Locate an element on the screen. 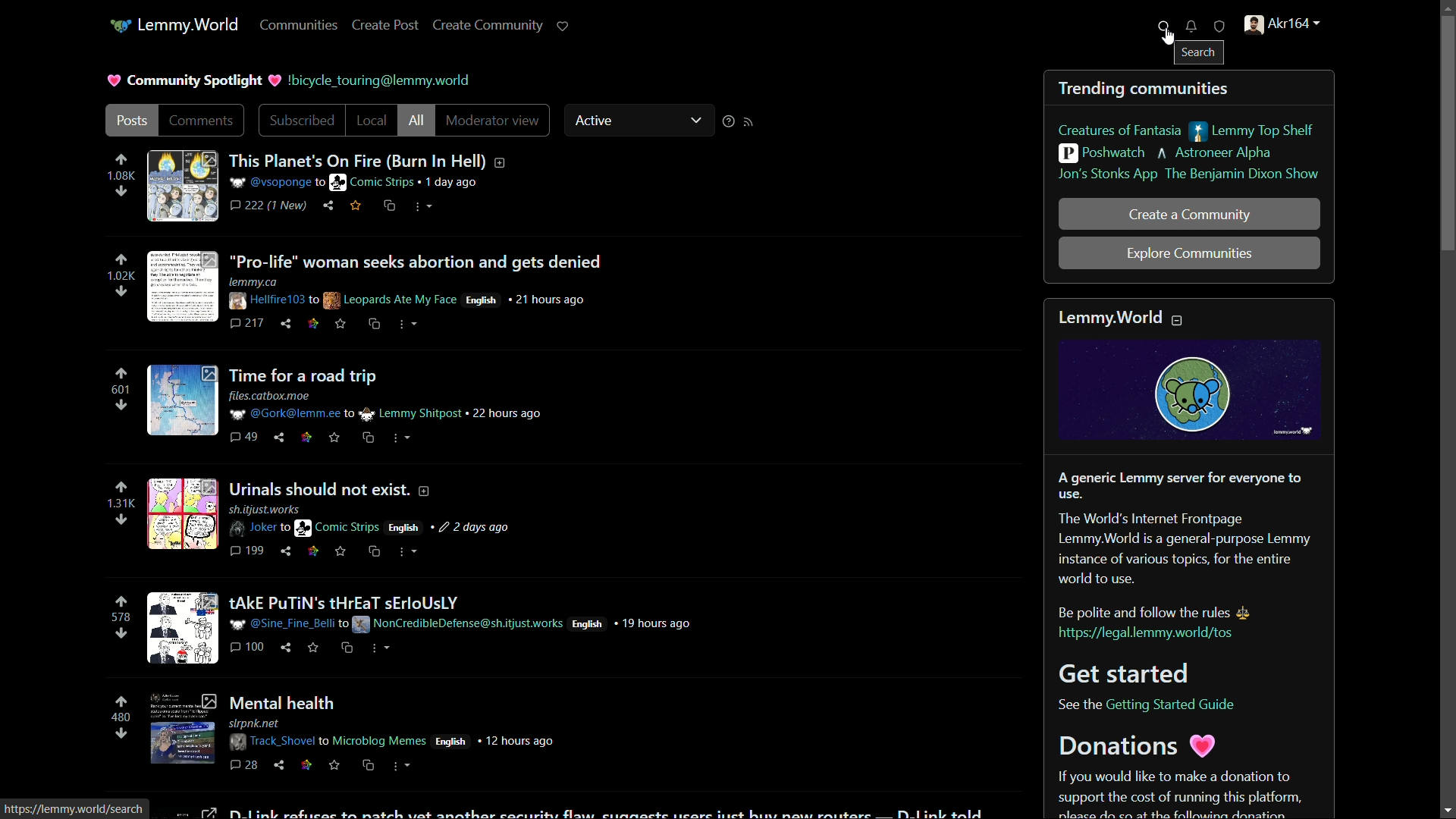  community spotlight is located at coordinates (195, 81).